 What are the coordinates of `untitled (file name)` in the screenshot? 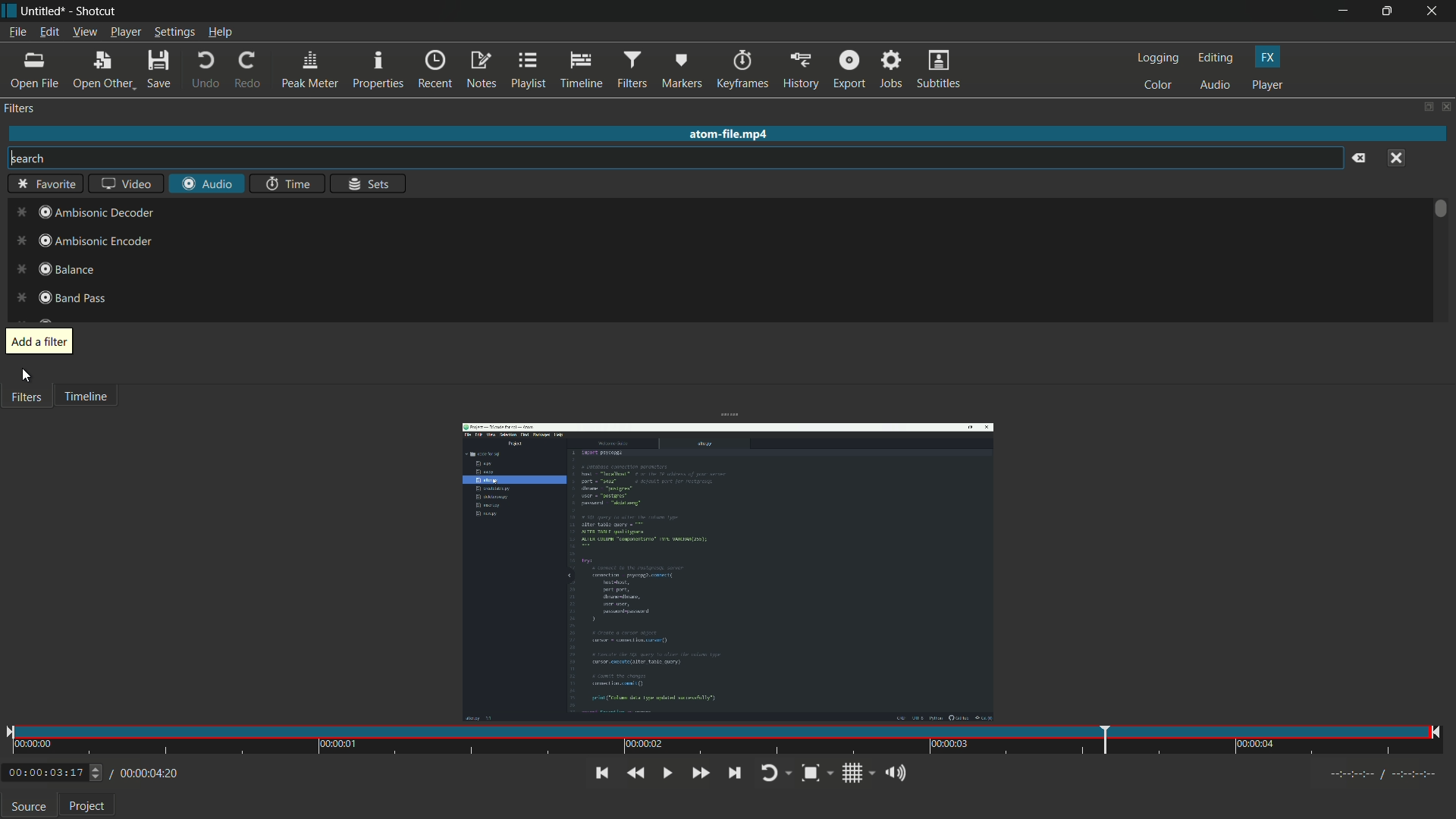 It's located at (43, 11).